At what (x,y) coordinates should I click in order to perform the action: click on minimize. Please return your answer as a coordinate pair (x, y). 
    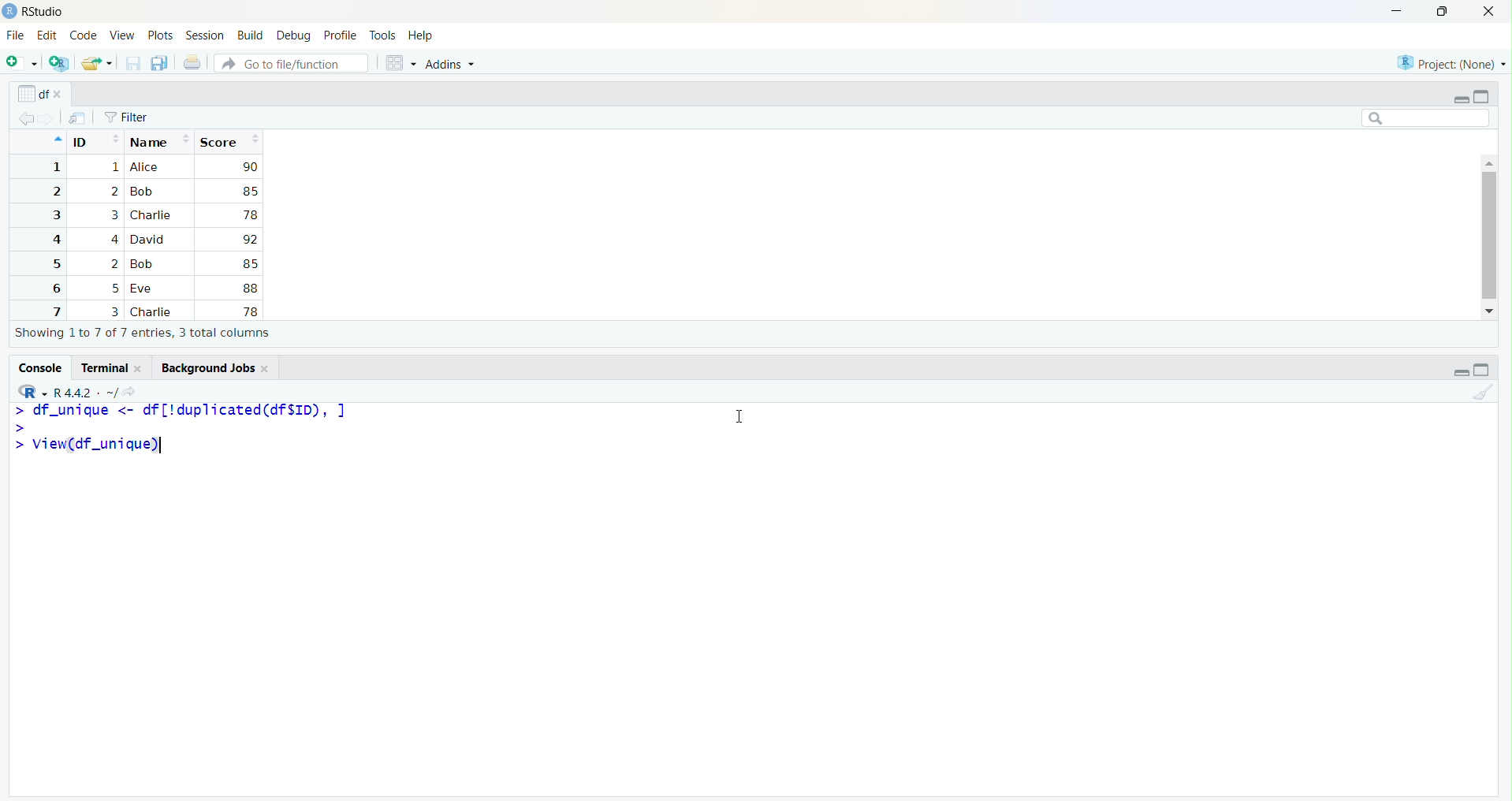
    Looking at the image, I should click on (1396, 13).